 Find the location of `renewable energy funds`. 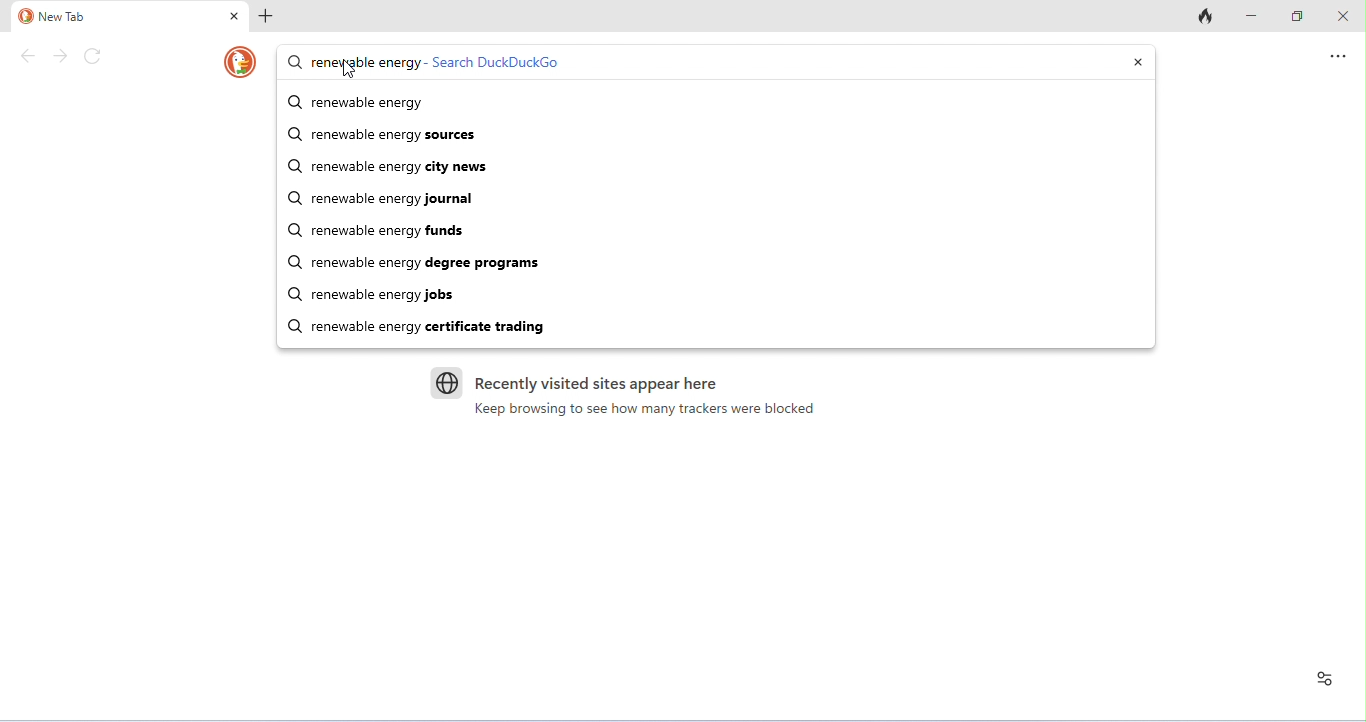

renewable energy funds is located at coordinates (728, 232).